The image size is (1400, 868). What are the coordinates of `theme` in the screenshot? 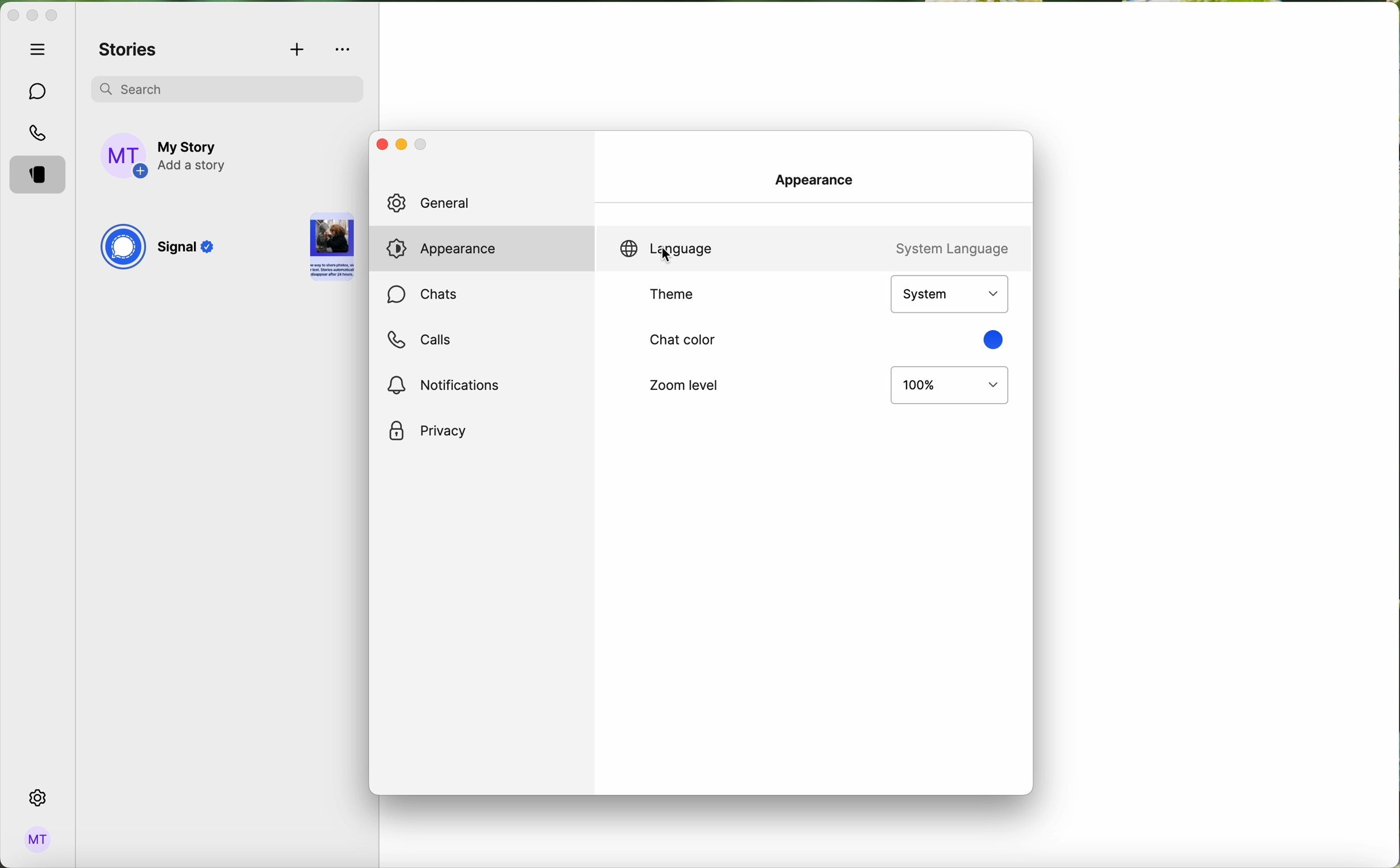 It's located at (674, 295).